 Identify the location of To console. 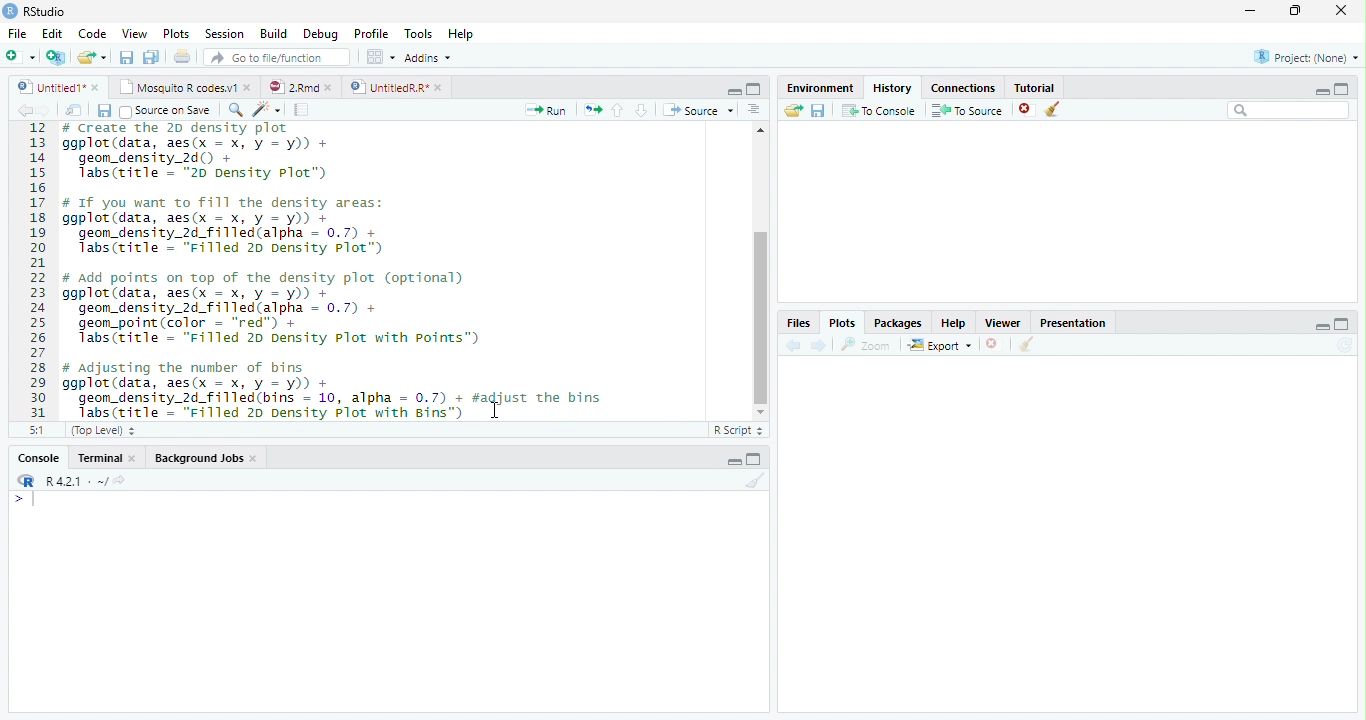
(880, 110).